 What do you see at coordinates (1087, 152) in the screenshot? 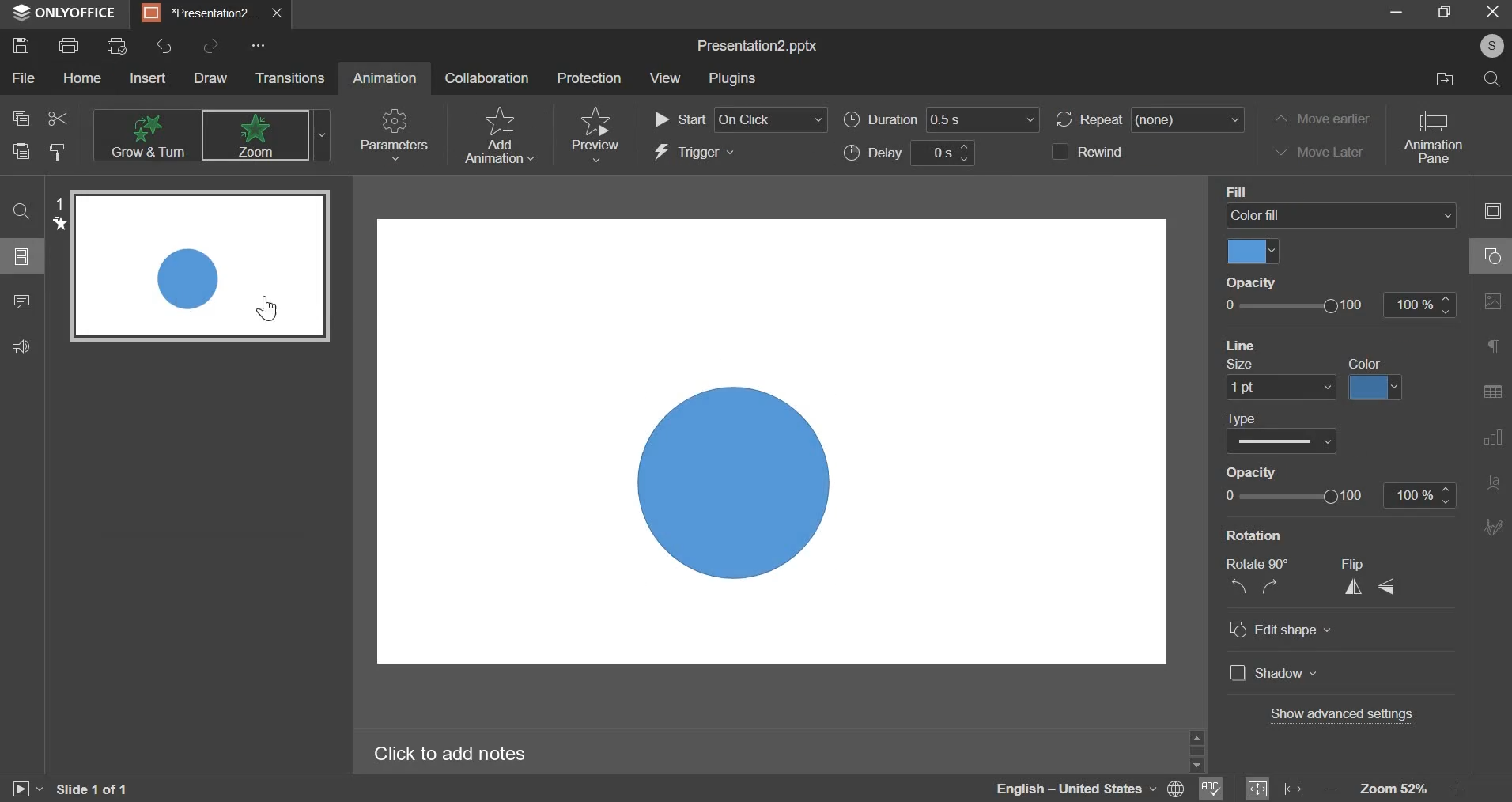
I see `rewind` at bounding box center [1087, 152].